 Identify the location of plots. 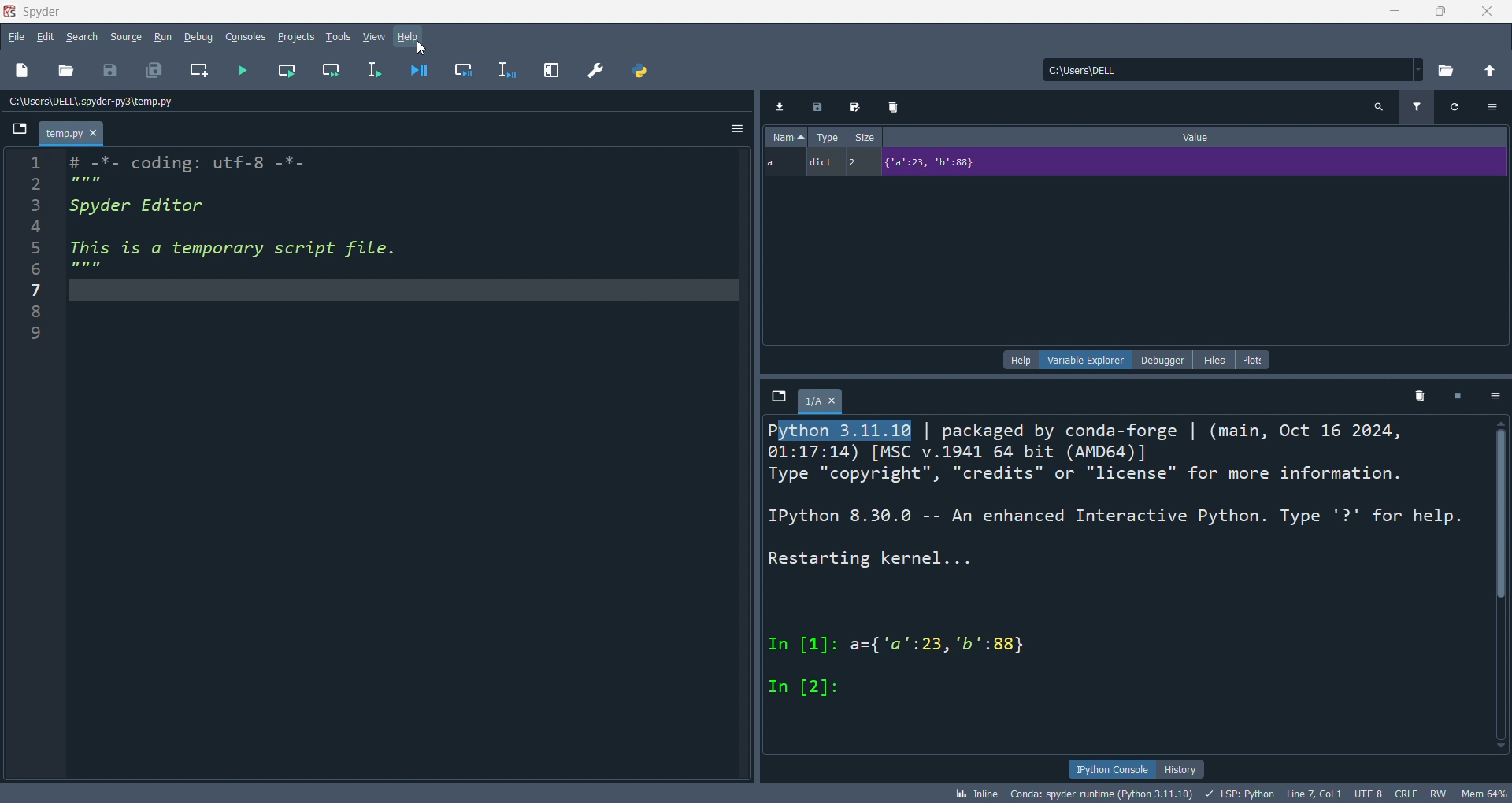
(1255, 360).